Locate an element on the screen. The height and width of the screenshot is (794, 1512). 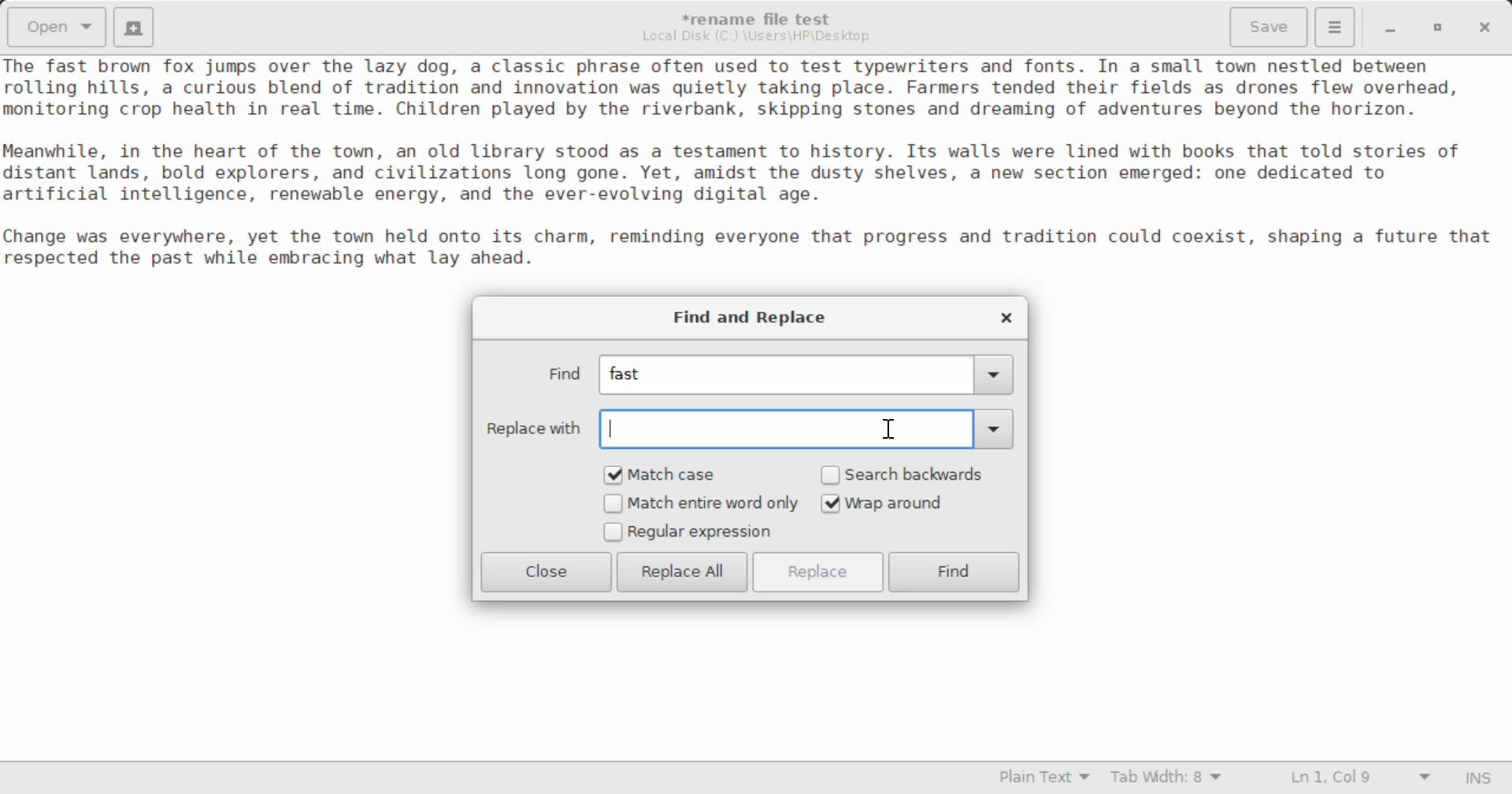
Close Window is located at coordinates (1003, 317).